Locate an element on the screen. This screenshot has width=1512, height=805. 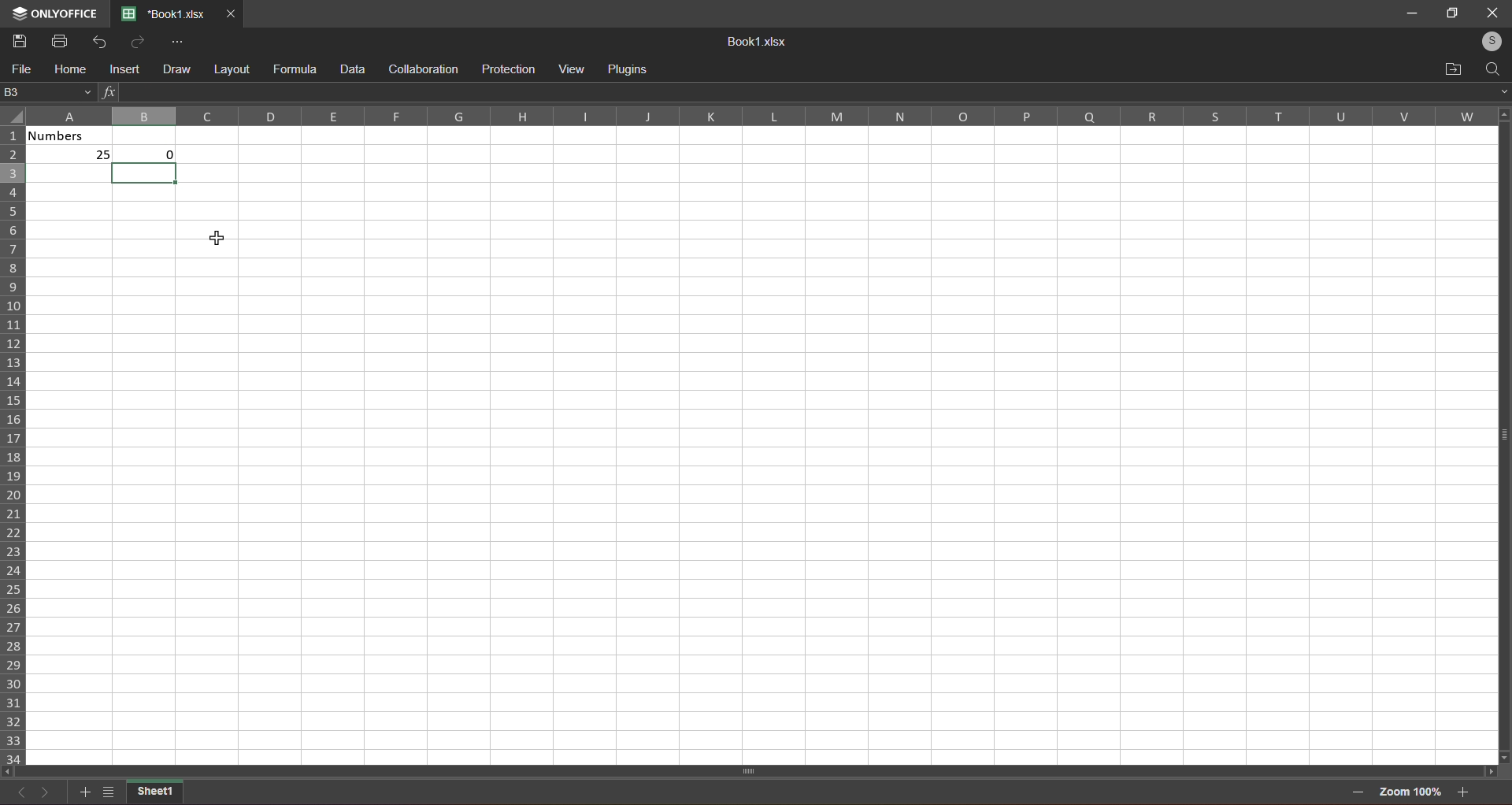
formula bar is located at coordinates (802, 90).